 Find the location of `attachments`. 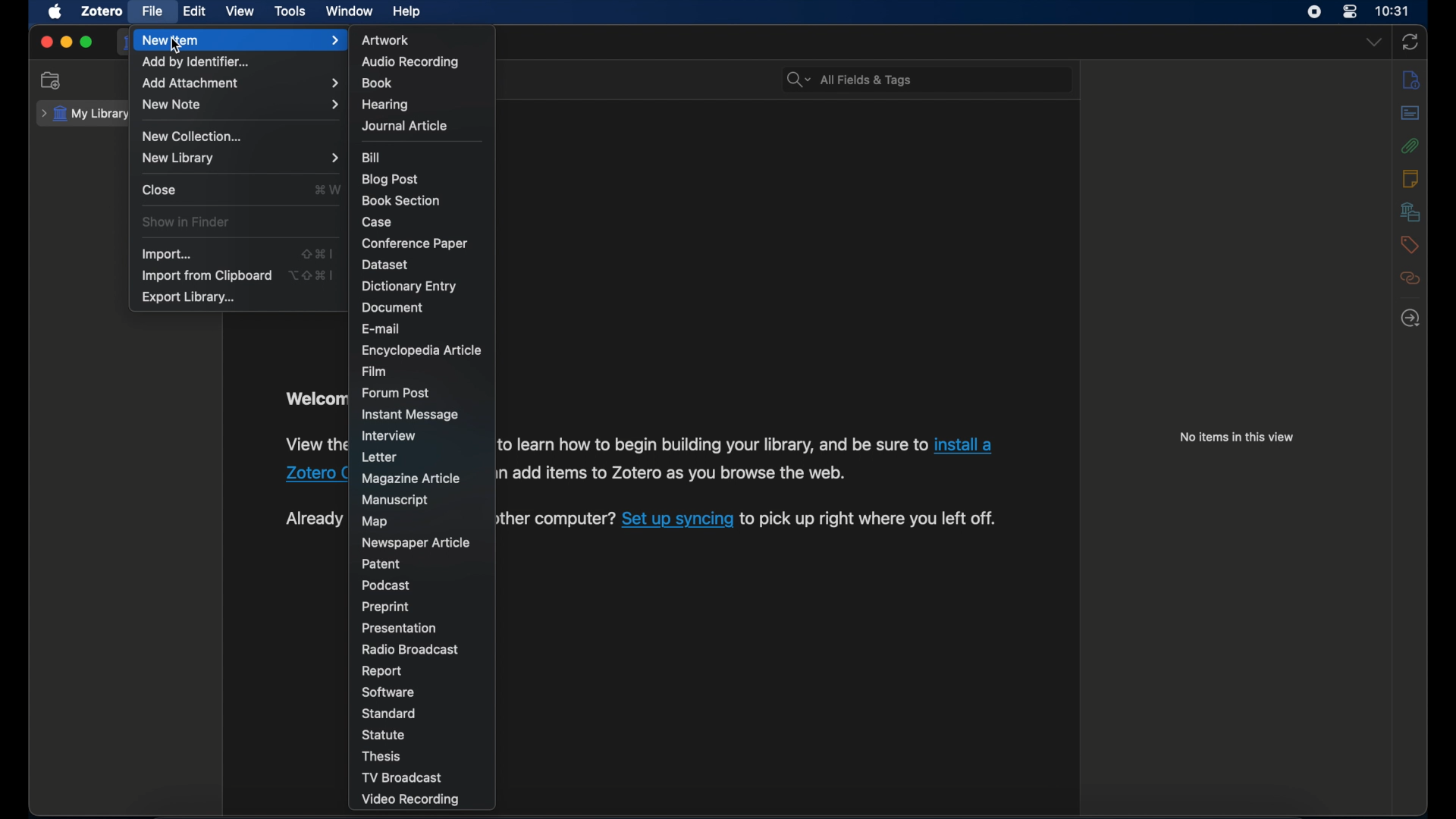

attachments is located at coordinates (1411, 146).